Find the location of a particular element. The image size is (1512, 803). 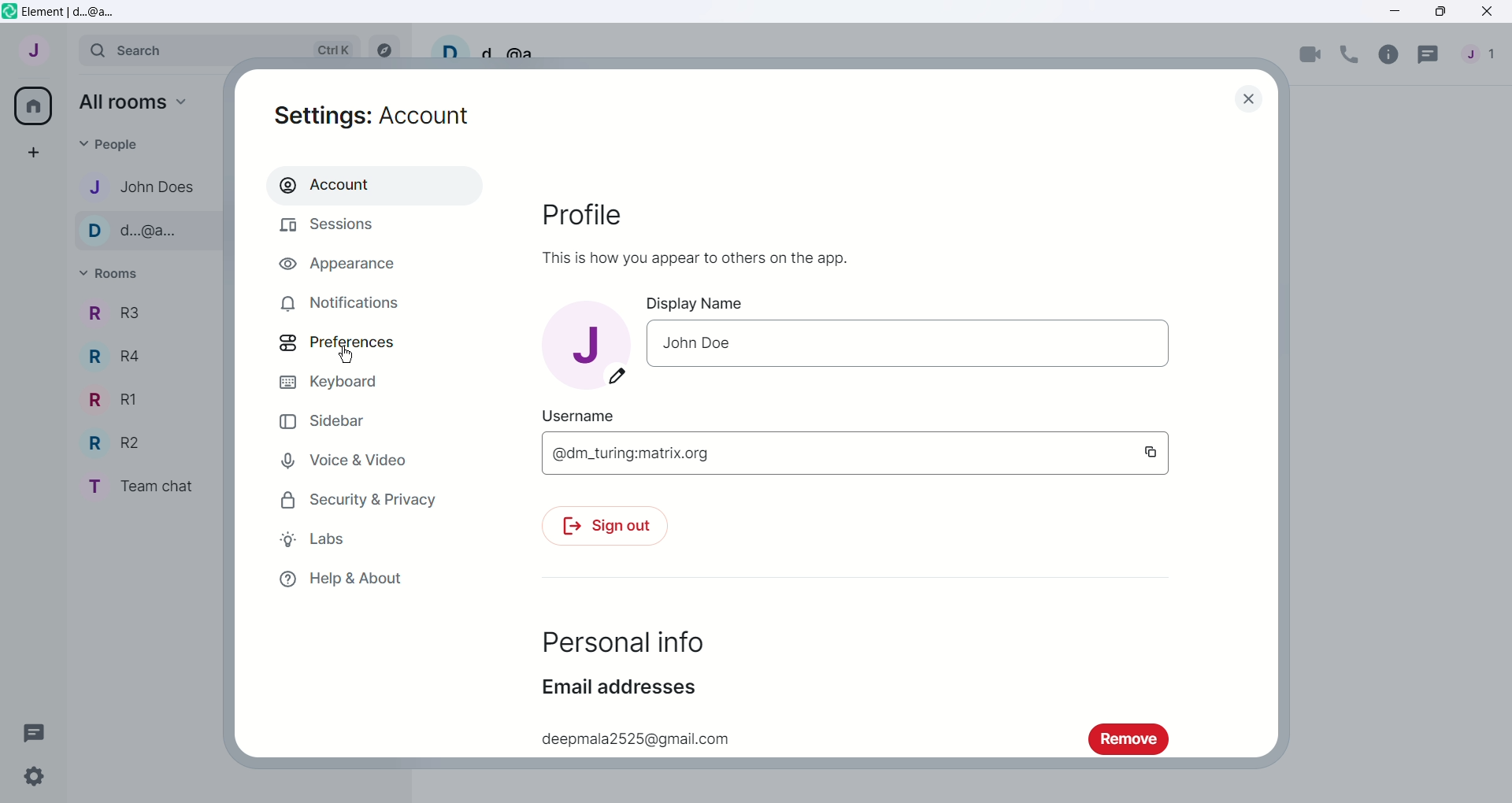

All rooms is located at coordinates (135, 102).